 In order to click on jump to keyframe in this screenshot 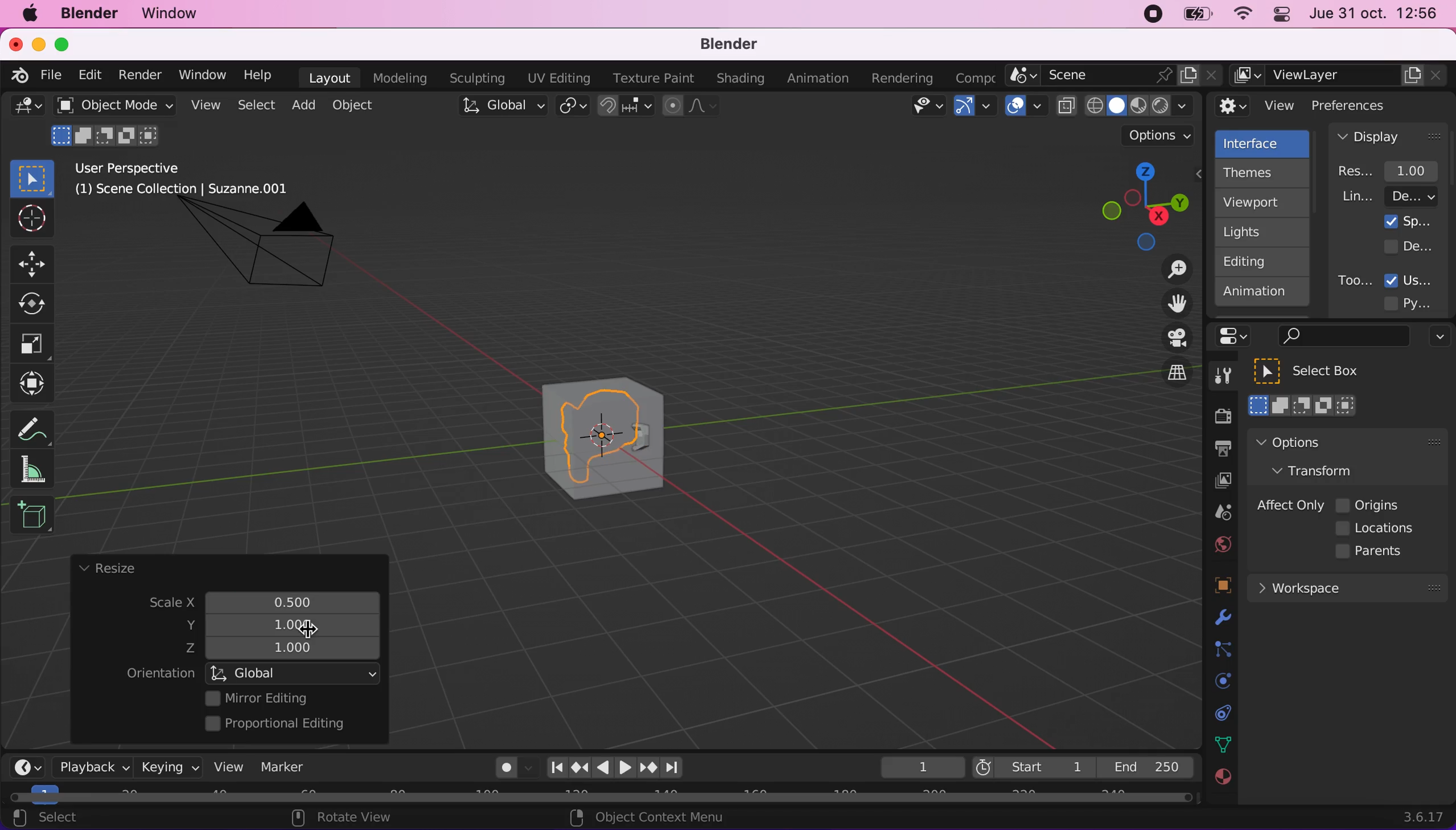, I will do `click(580, 767)`.